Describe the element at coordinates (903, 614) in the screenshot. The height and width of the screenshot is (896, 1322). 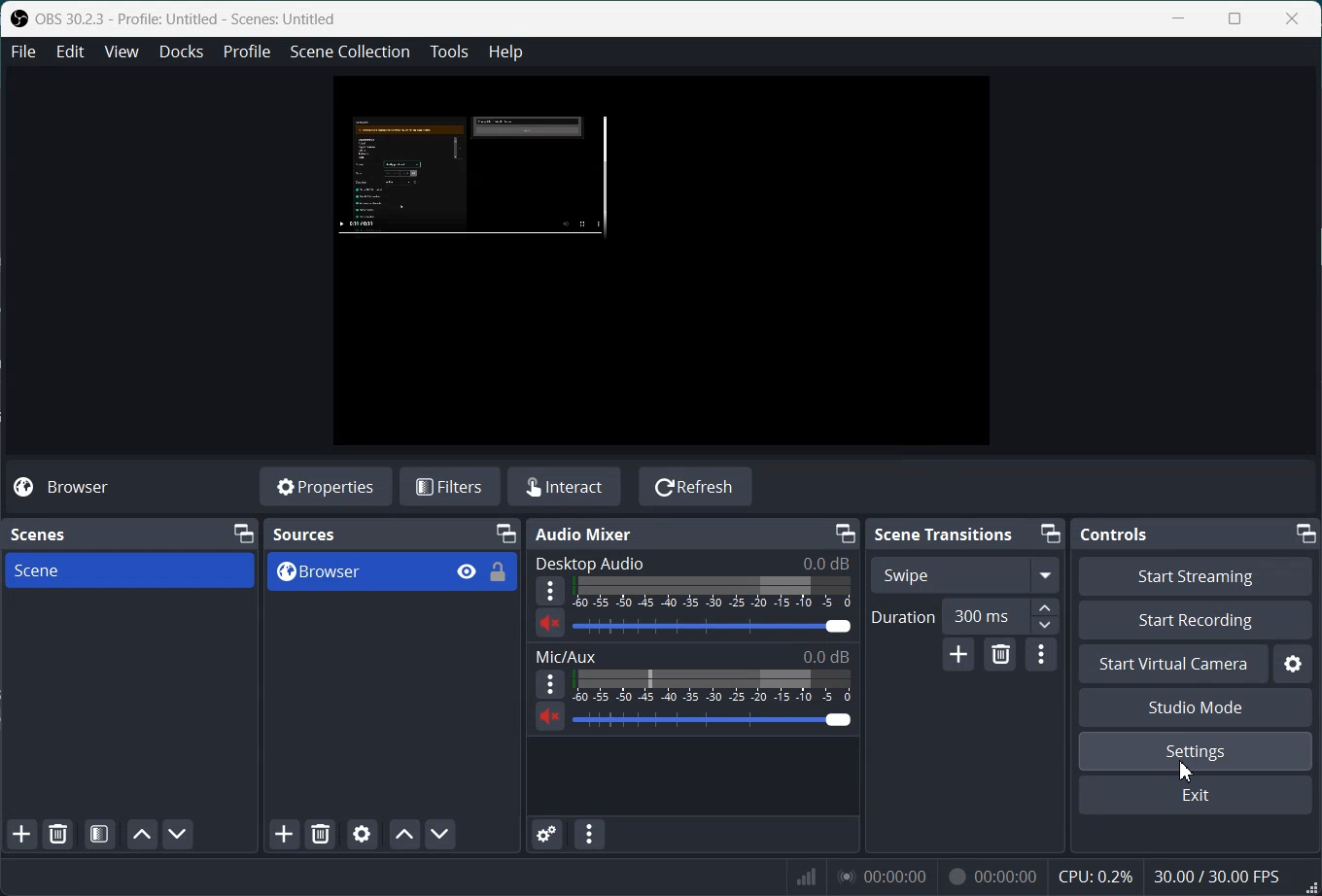
I see `Duration` at that location.